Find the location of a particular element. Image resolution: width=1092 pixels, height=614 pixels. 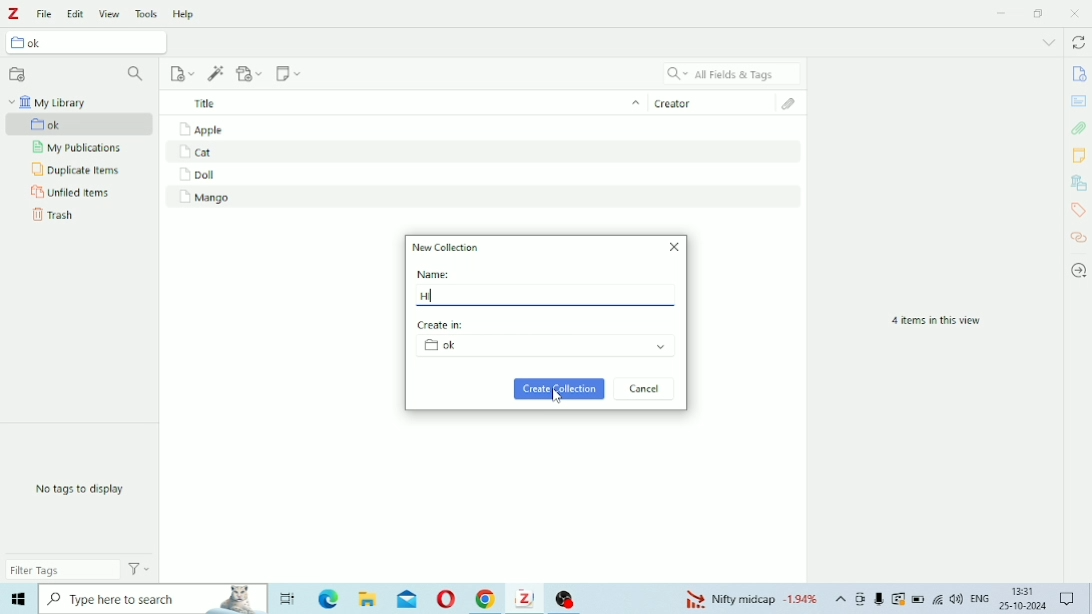

Tools is located at coordinates (147, 13).